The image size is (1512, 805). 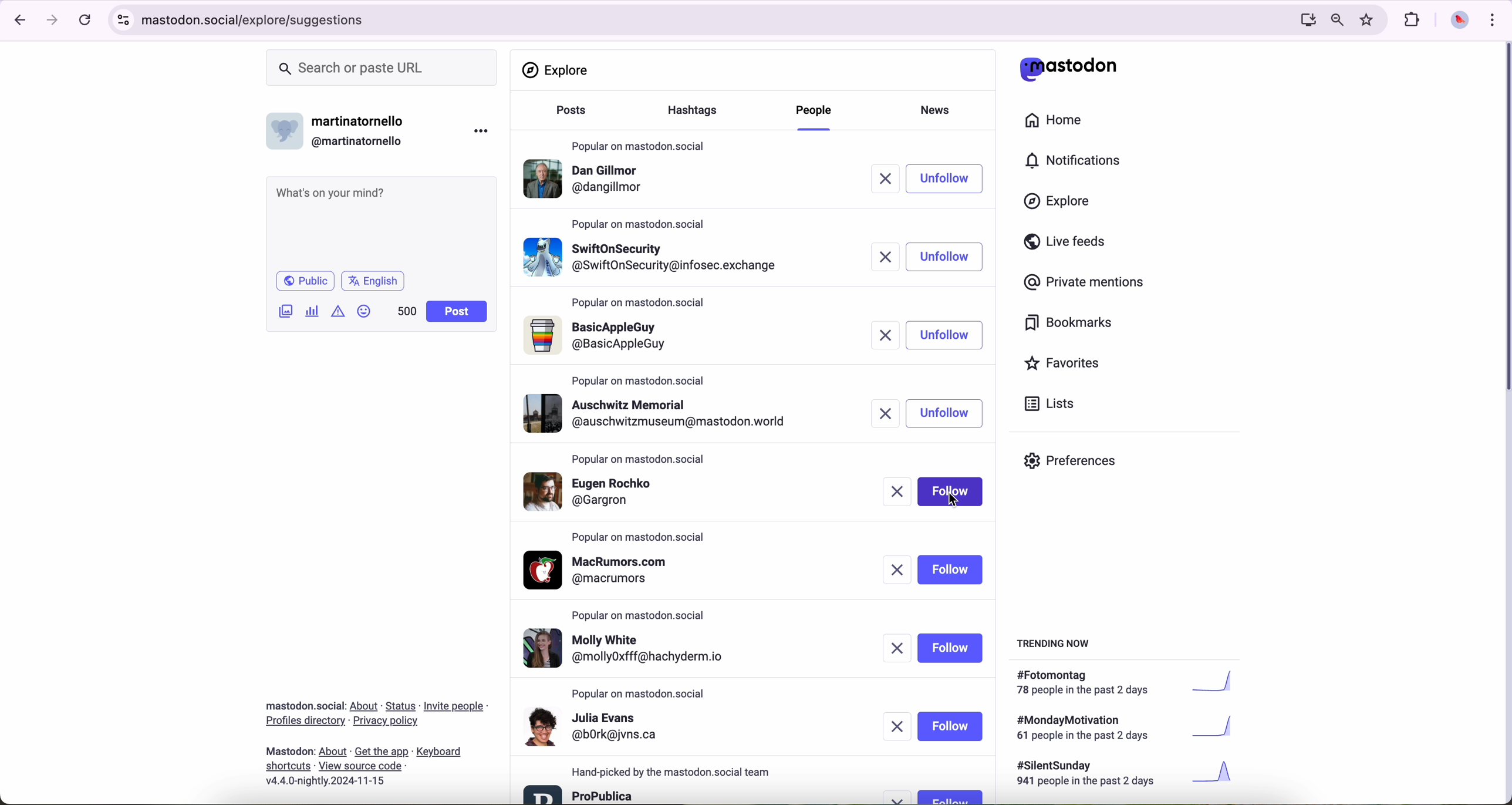 What do you see at coordinates (457, 312) in the screenshot?
I see `post button` at bounding box center [457, 312].